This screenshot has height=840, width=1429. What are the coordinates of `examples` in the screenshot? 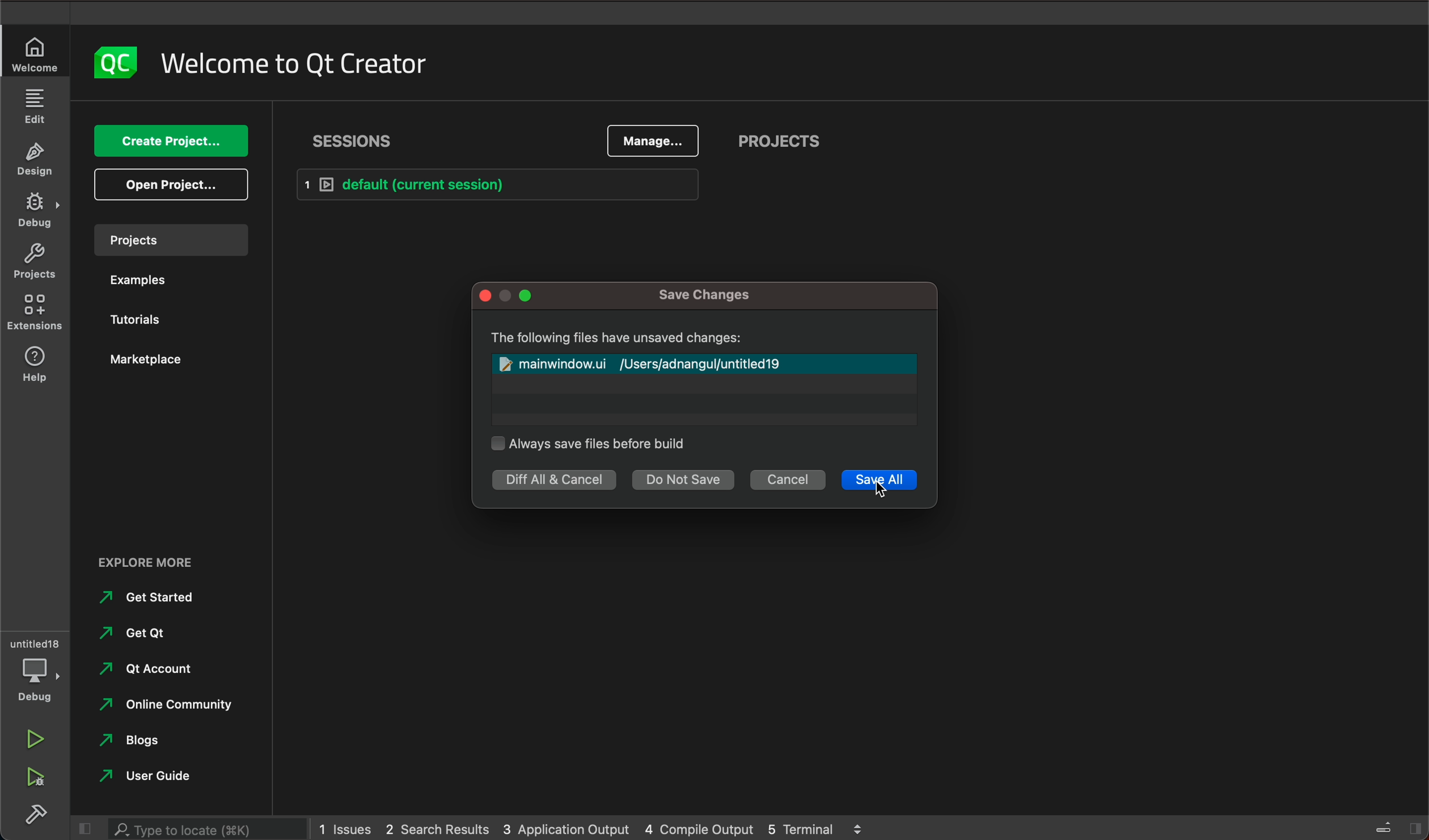 It's located at (163, 279).